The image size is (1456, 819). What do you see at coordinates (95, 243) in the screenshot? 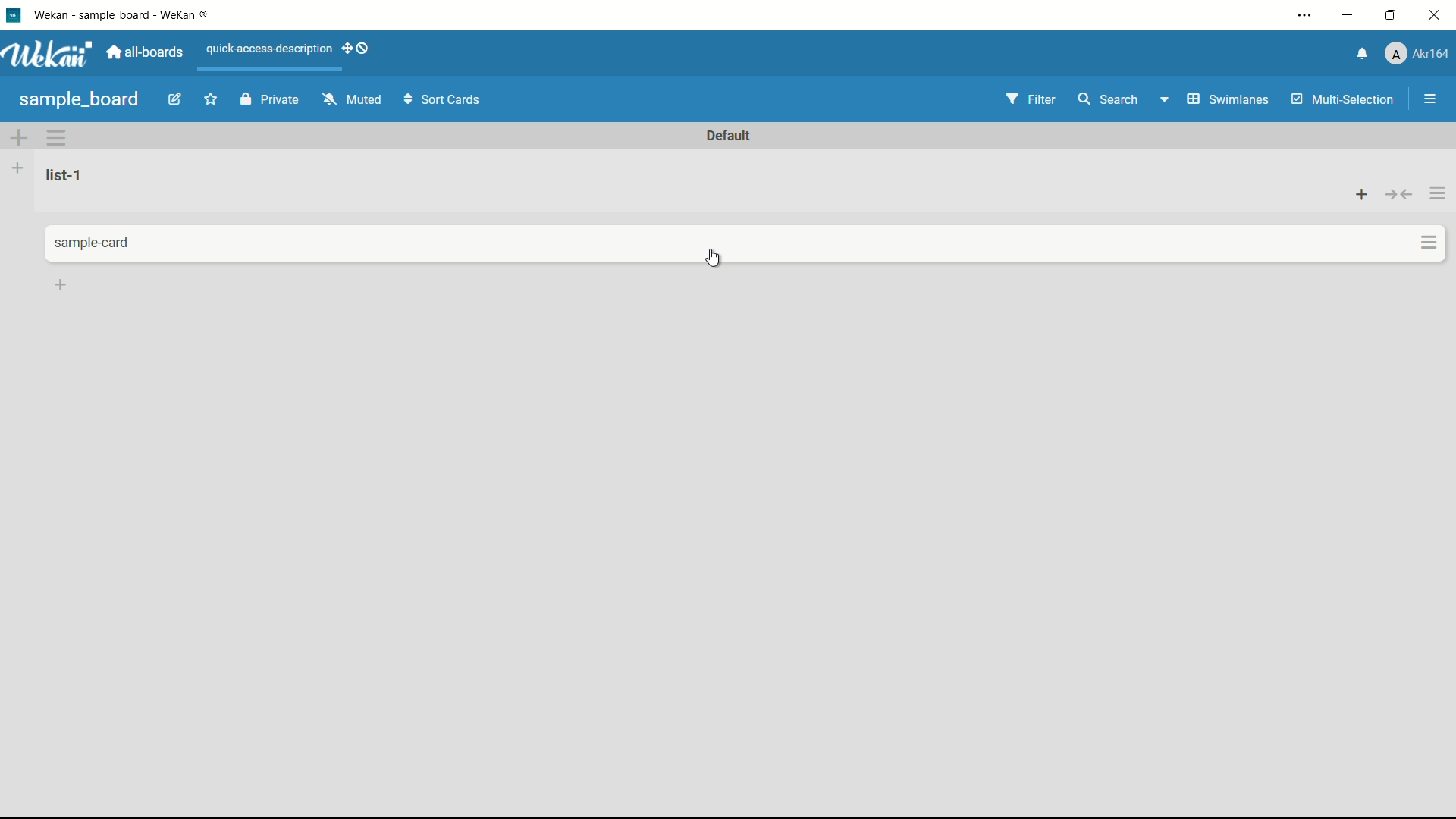
I see `card name` at bounding box center [95, 243].